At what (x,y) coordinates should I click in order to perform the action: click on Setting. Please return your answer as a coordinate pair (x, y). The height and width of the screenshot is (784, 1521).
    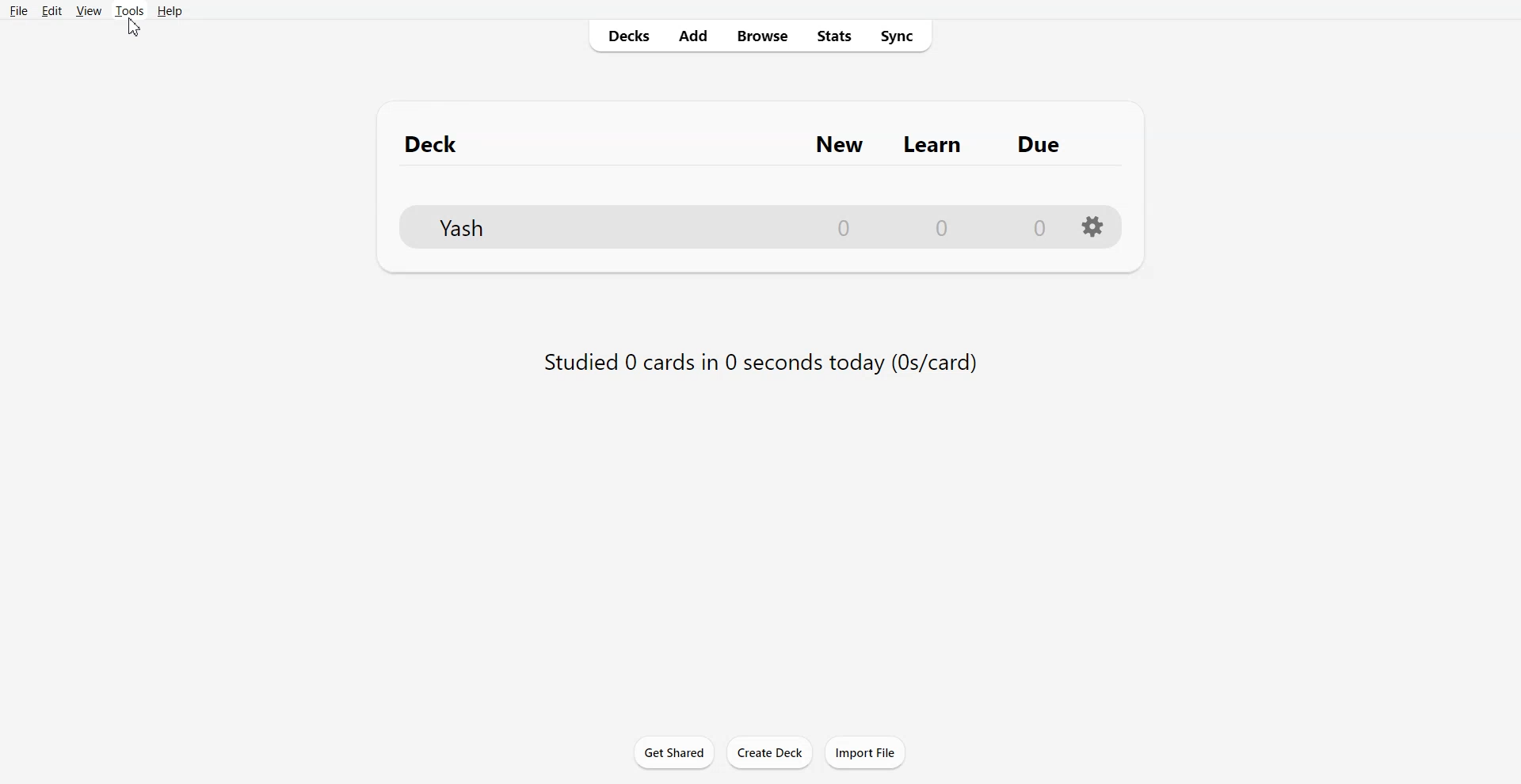
    Looking at the image, I should click on (1093, 226).